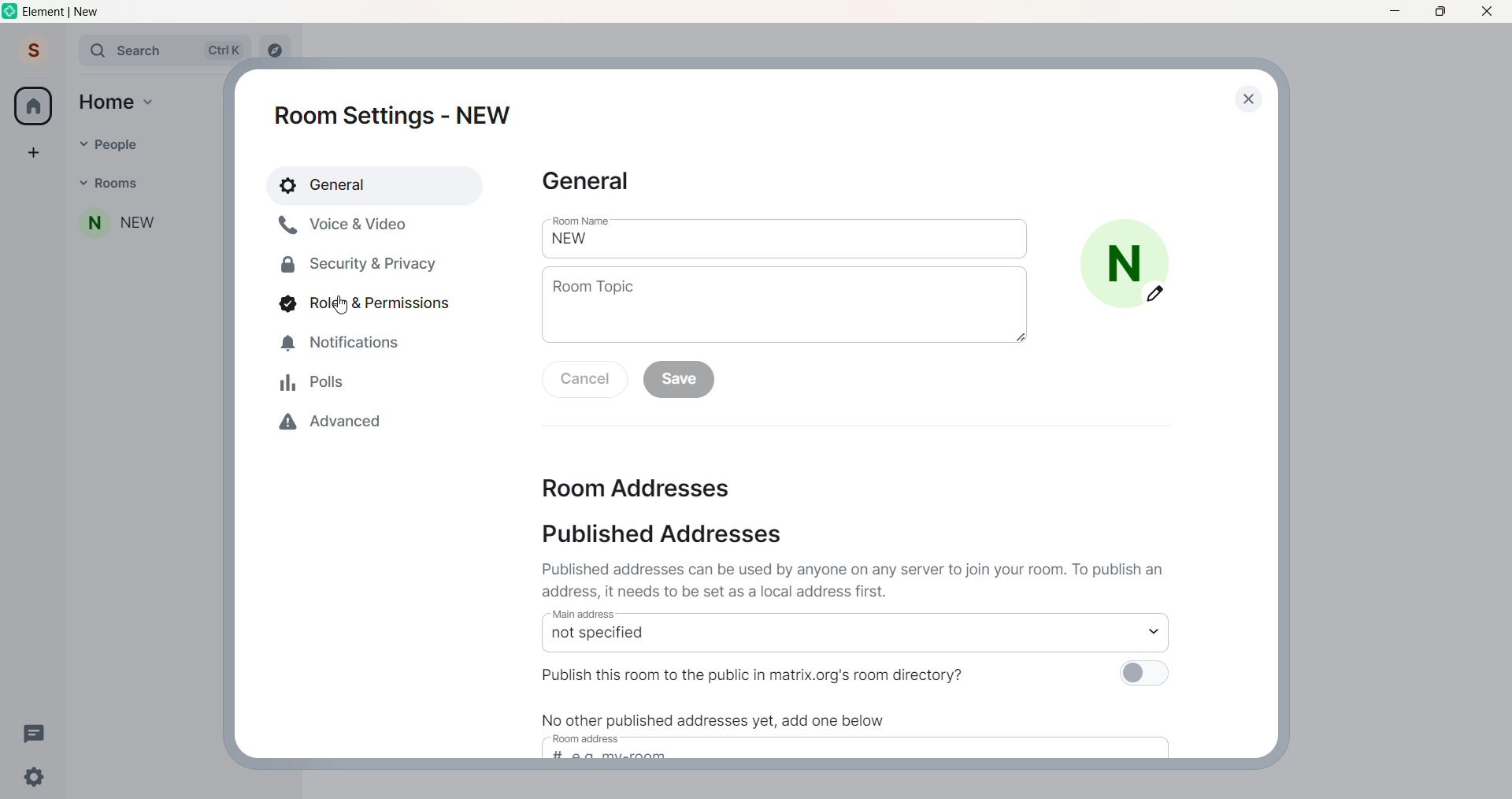 This screenshot has width=1512, height=799. I want to click on search, so click(156, 49).